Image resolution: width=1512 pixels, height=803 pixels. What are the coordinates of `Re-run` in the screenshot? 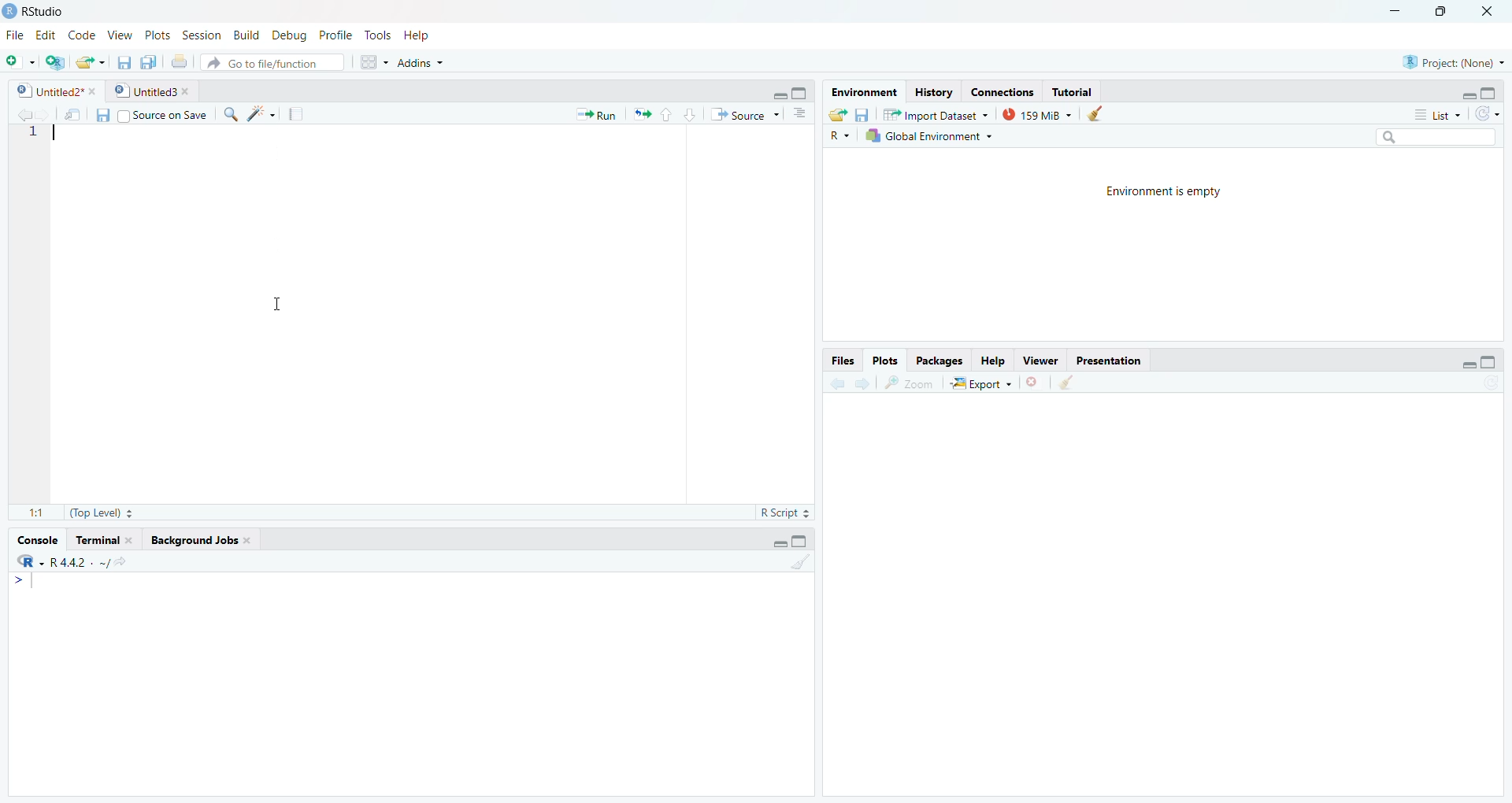 It's located at (641, 113).